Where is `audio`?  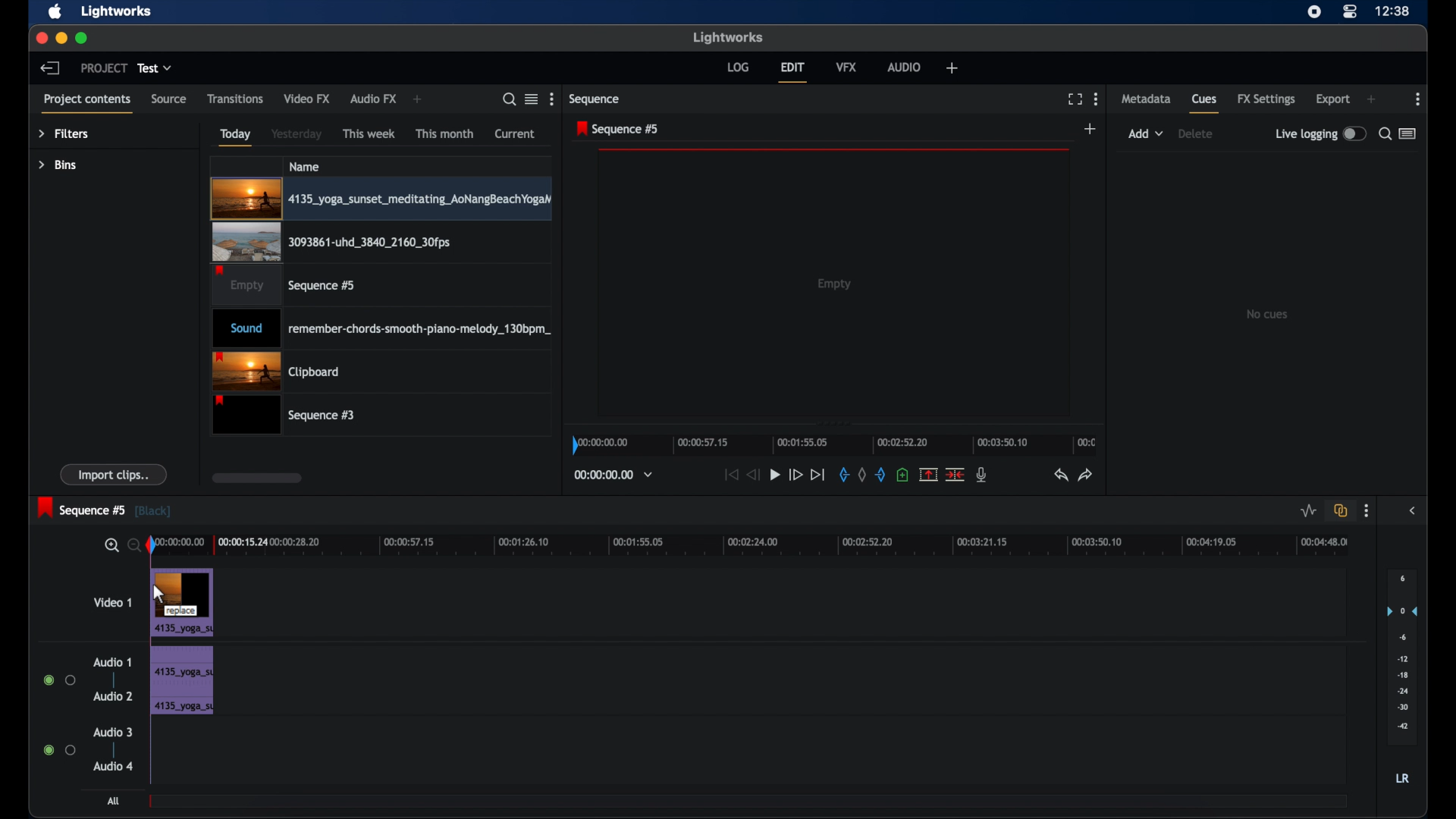 audio is located at coordinates (902, 66).